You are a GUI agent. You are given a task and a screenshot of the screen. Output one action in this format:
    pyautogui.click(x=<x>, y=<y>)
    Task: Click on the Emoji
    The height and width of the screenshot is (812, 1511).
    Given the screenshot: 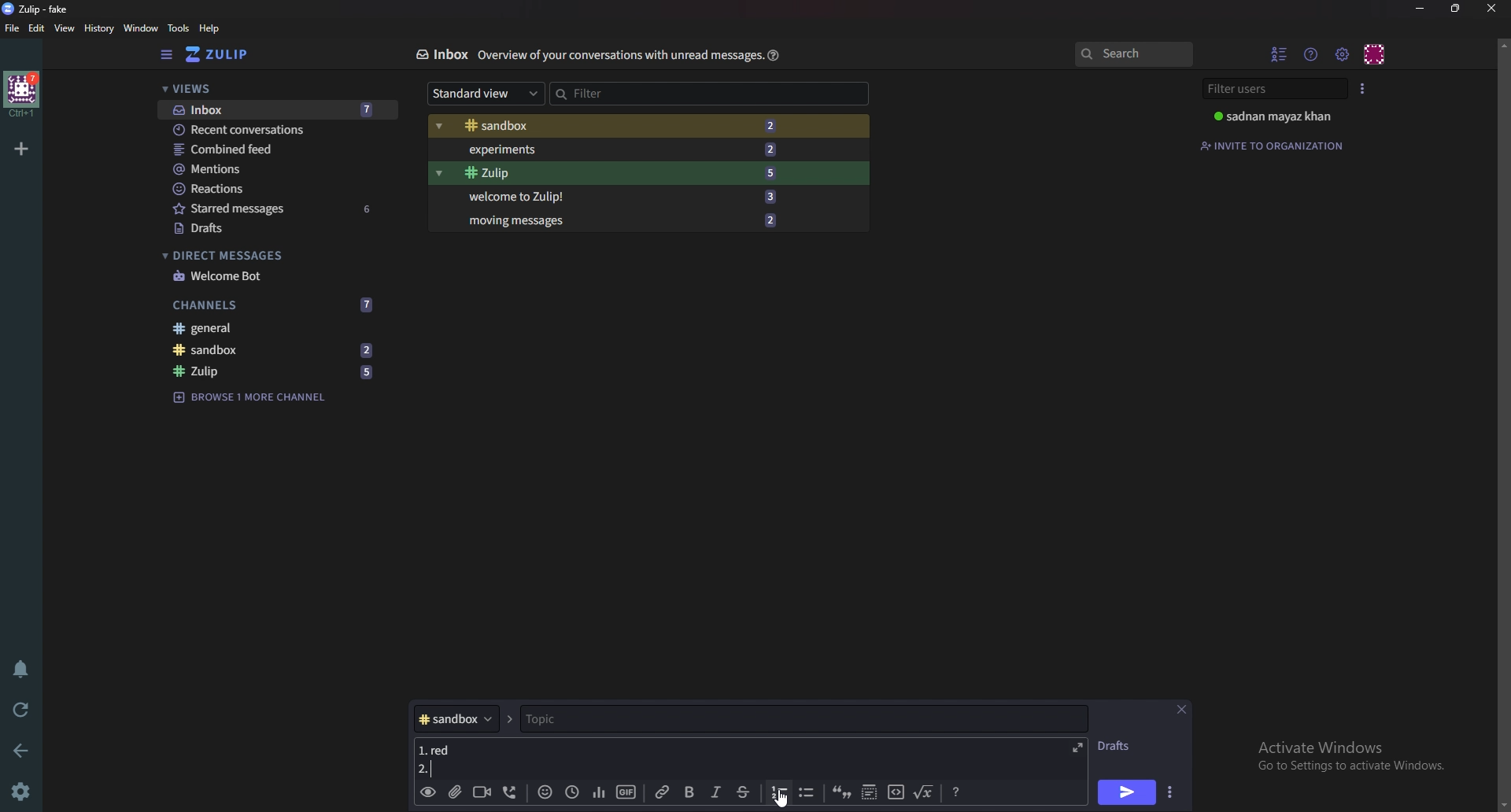 What is the action you would take?
    pyautogui.click(x=542, y=793)
    